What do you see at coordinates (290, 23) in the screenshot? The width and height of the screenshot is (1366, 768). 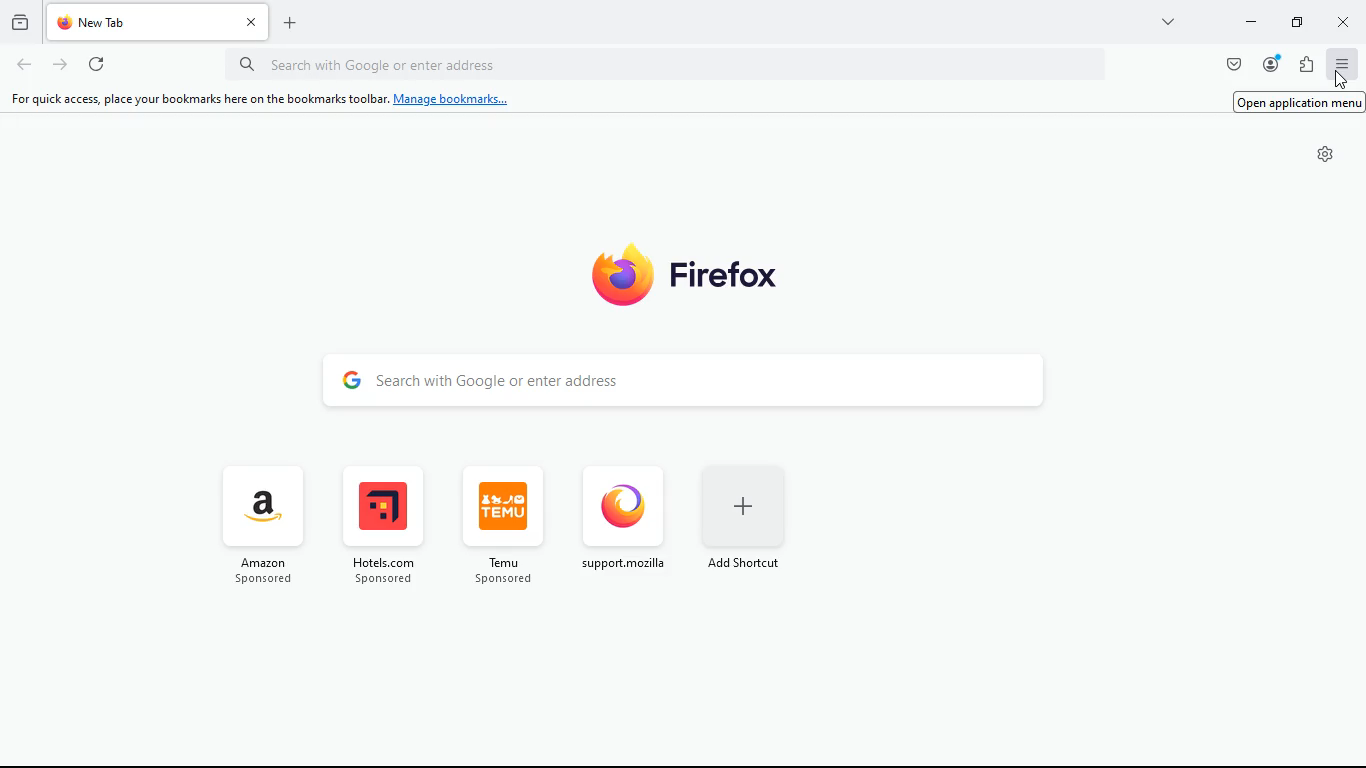 I see `open new tab` at bounding box center [290, 23].